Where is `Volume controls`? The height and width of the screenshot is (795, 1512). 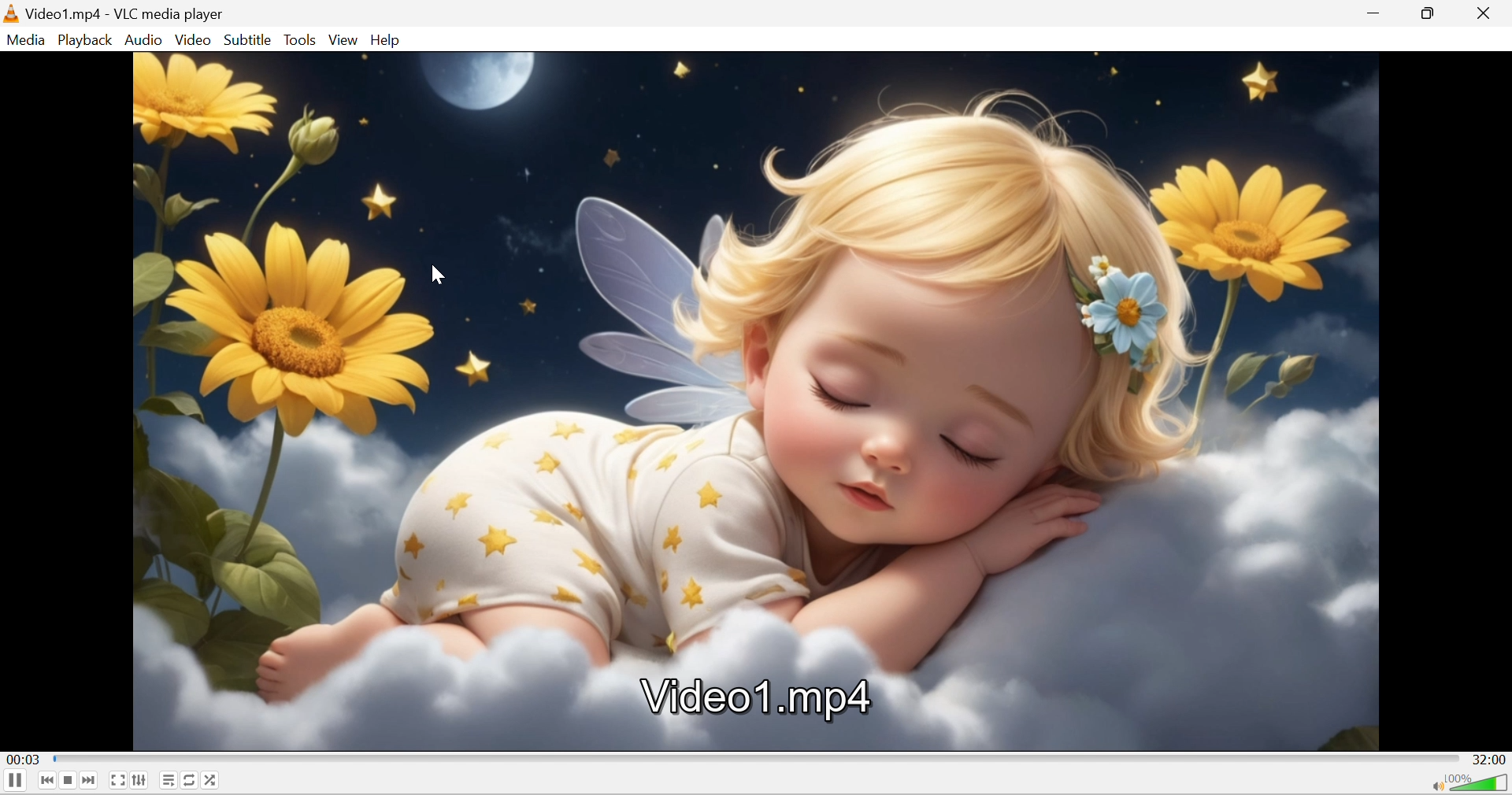
Volume controls is located at coordinates (1480, 783).